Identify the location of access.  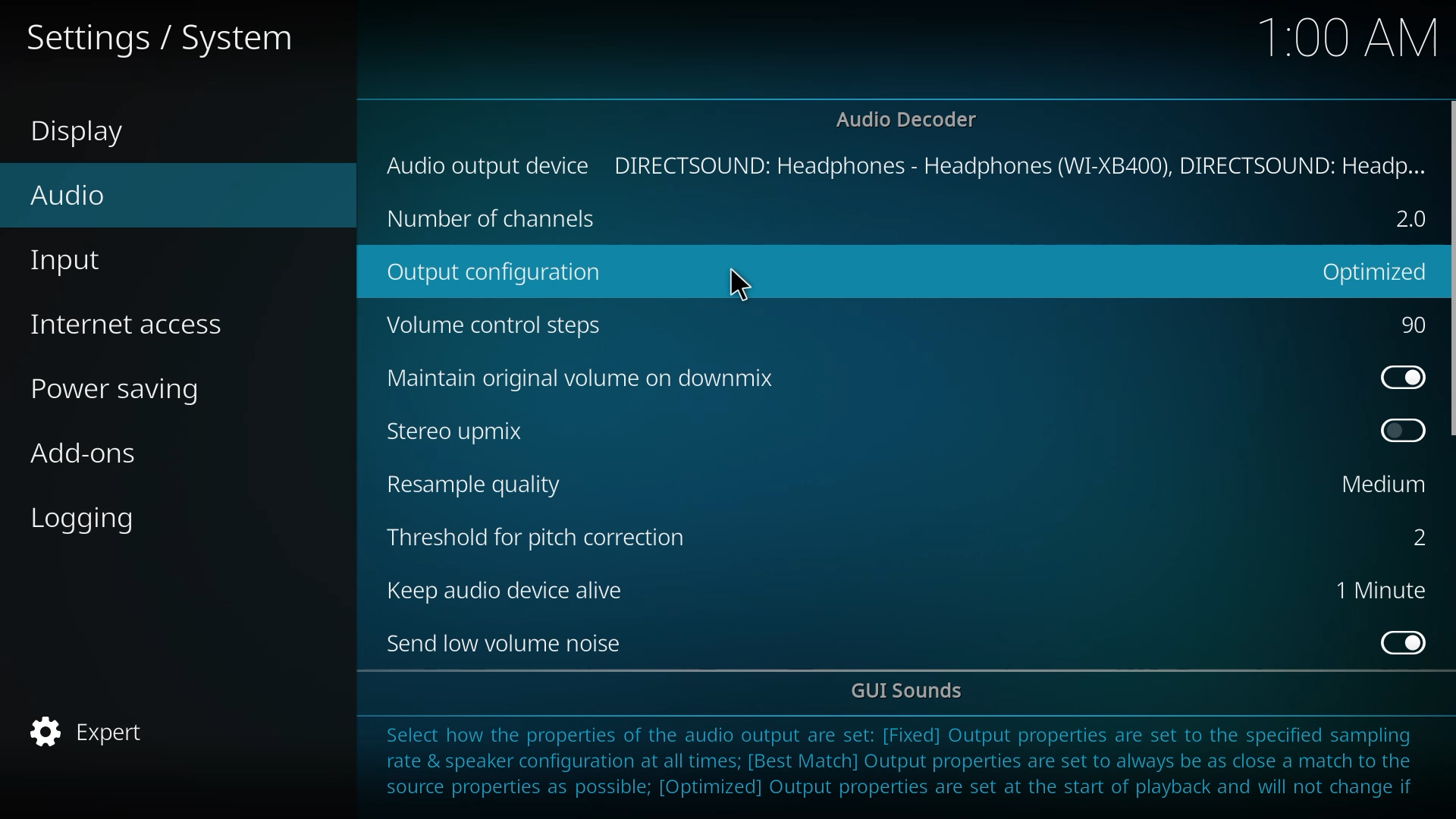
(143, 323).